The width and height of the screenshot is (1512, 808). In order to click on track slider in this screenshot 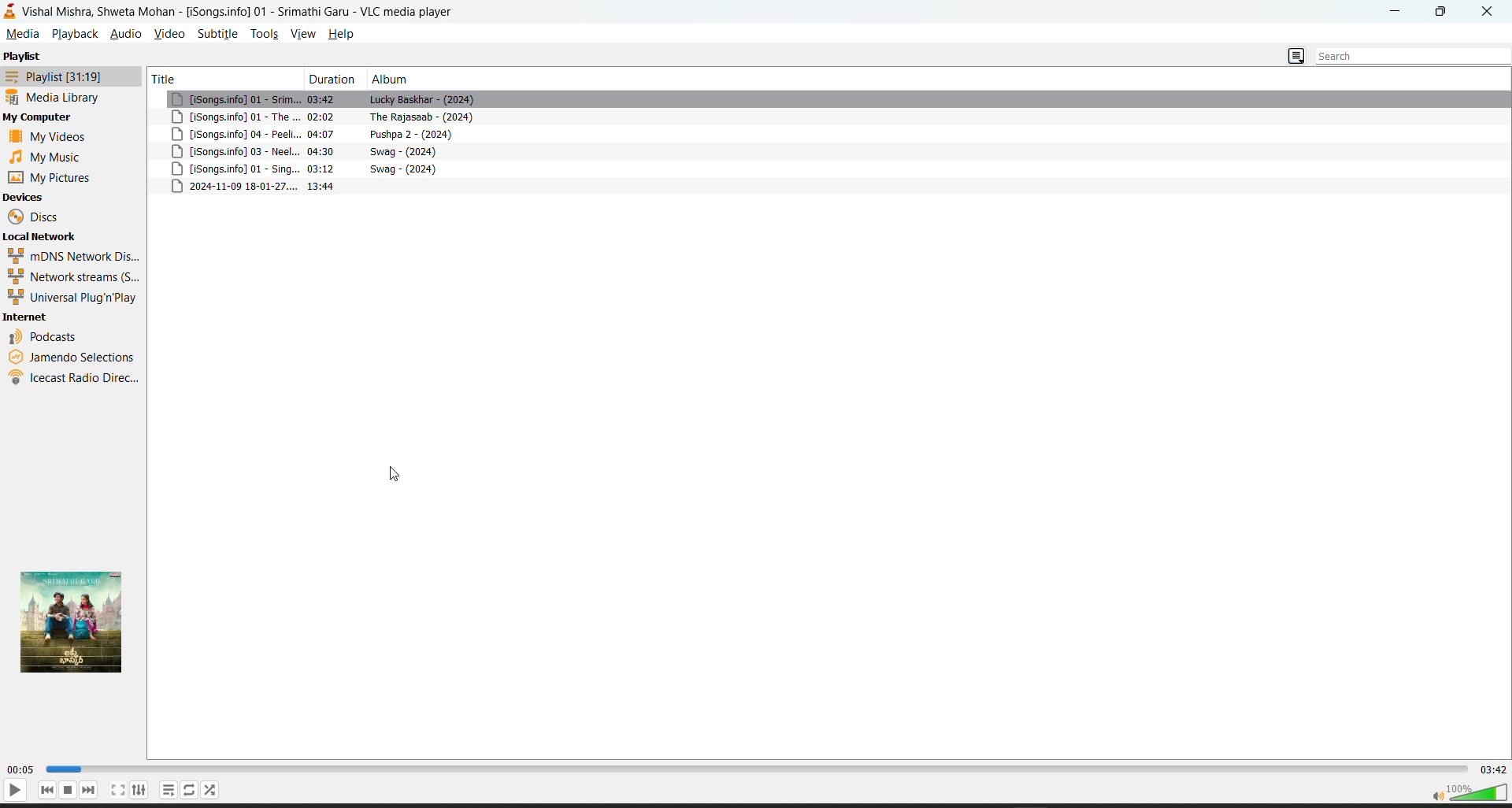, I will do `click(761, 770)`.